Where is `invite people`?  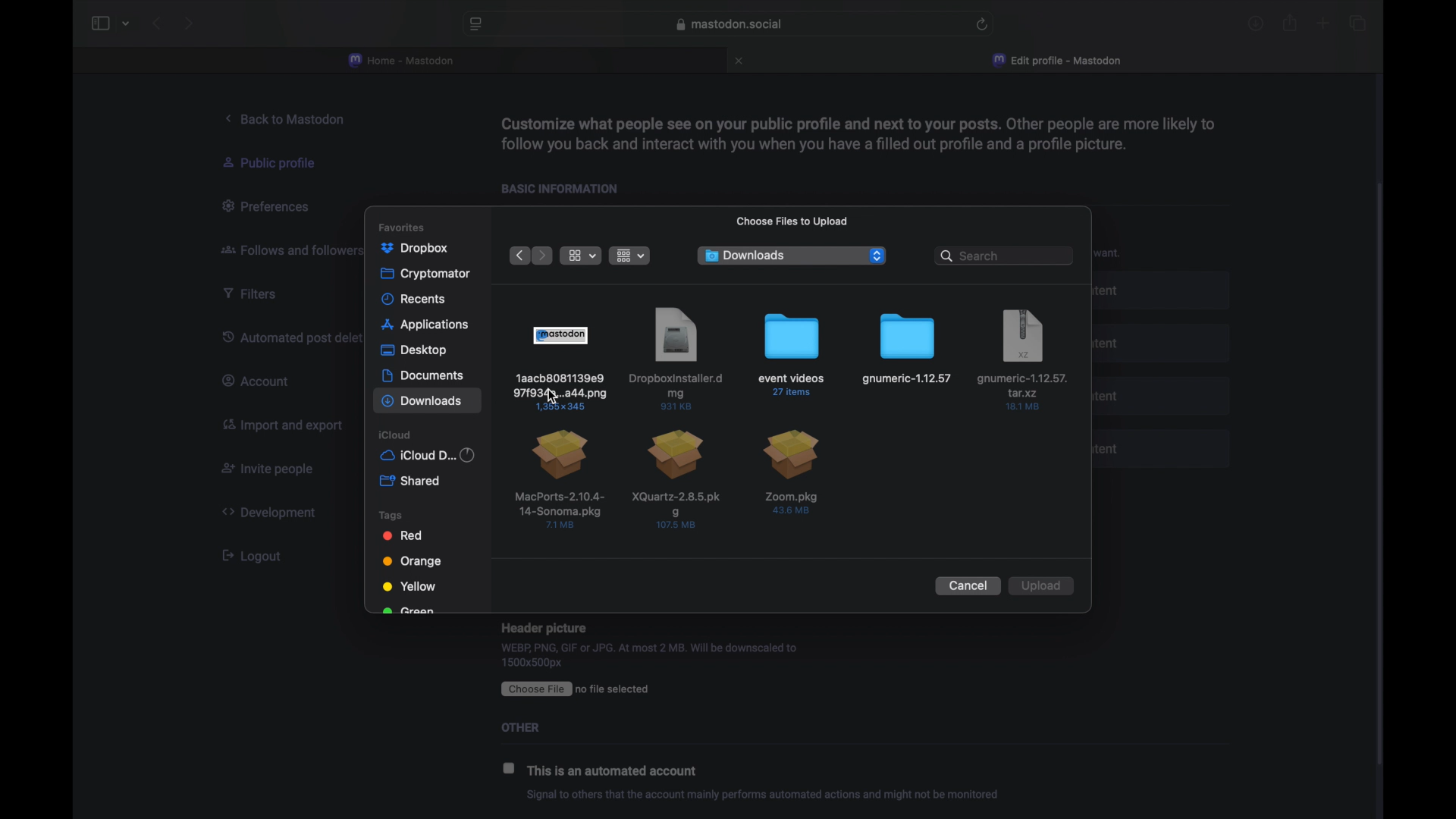
invite people is located at coordinates (268, 470).